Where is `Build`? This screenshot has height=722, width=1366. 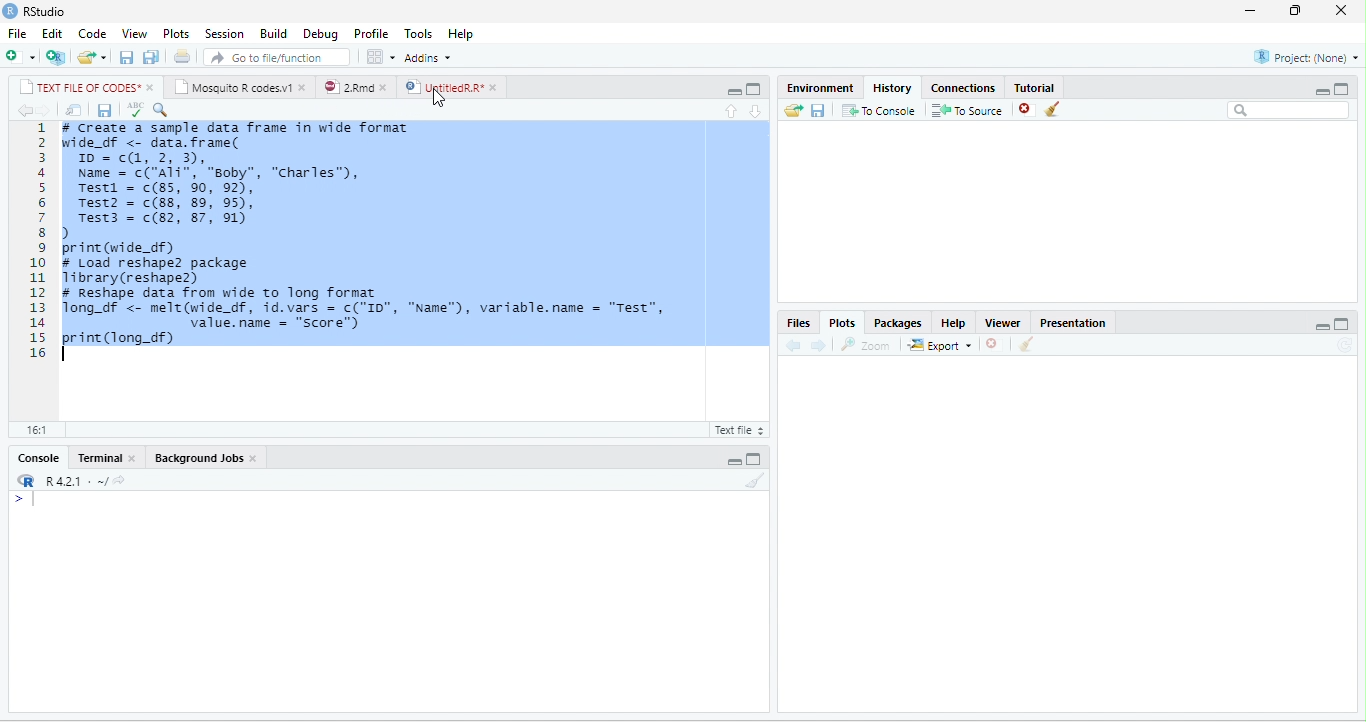 Build is located at coordinates (273, 34).